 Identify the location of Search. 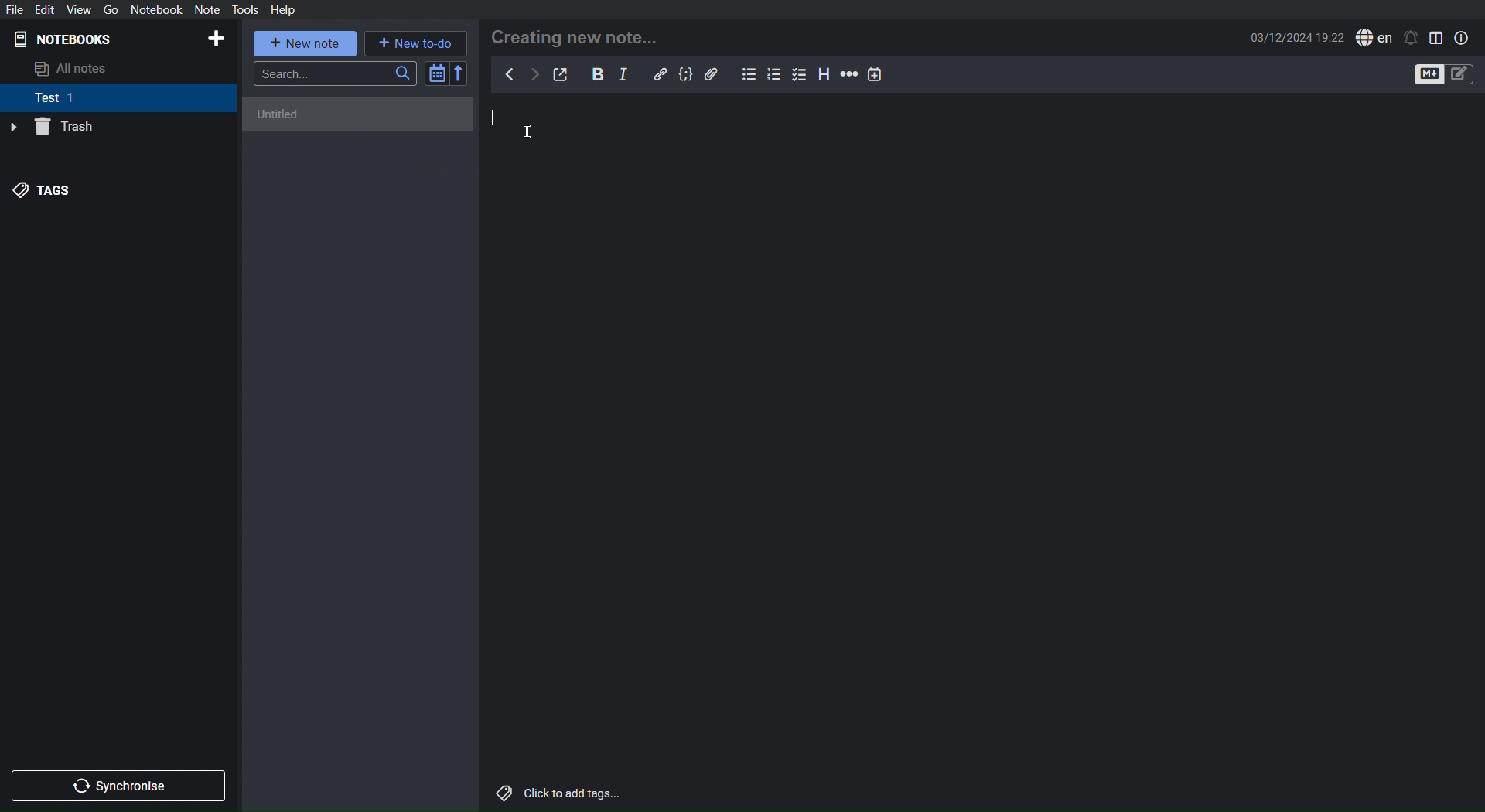
(335, 74).